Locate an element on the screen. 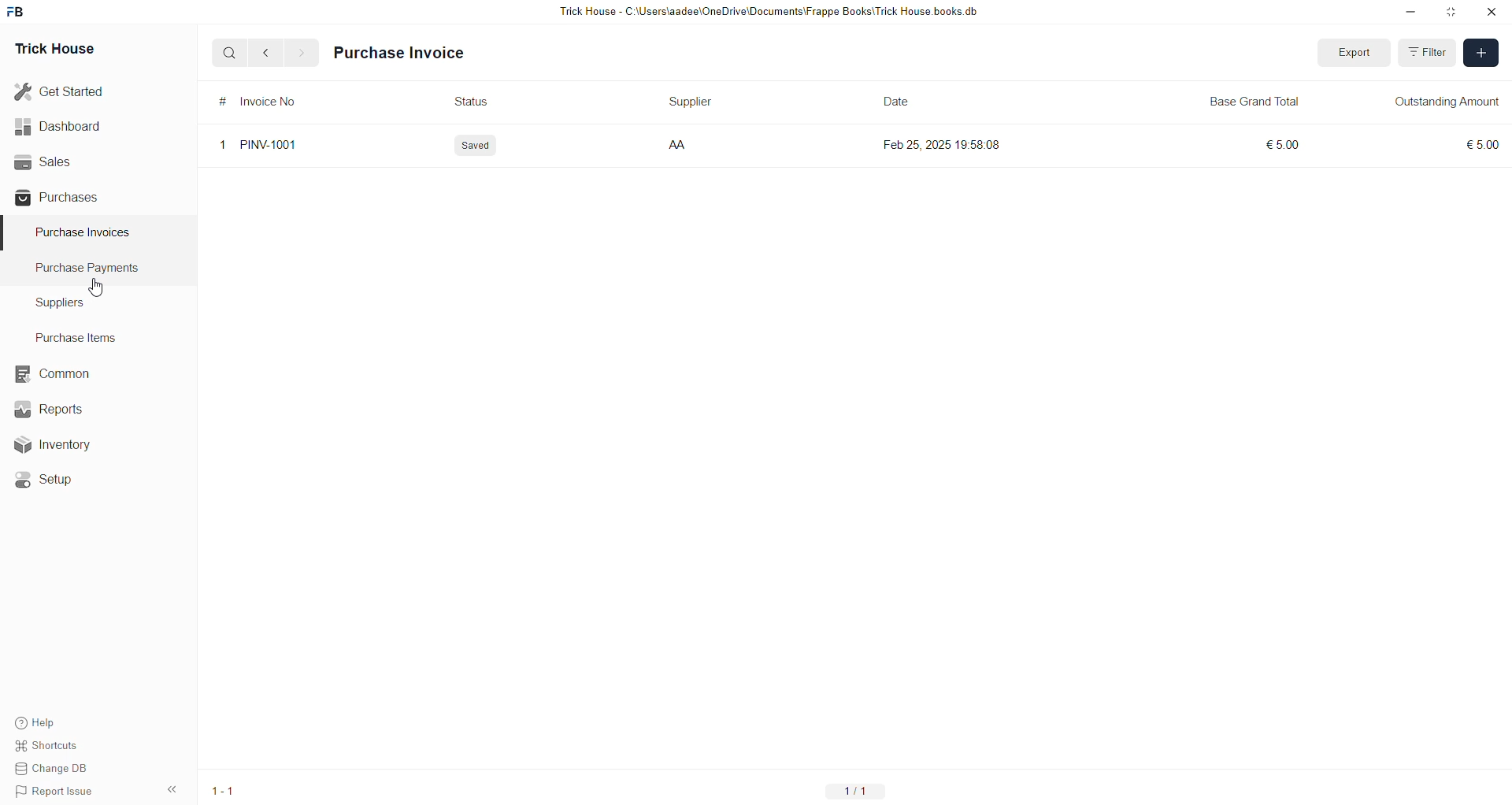 The width and height of the screenshot is (1512, 805). Get Started is located at coordinates (62, 90).